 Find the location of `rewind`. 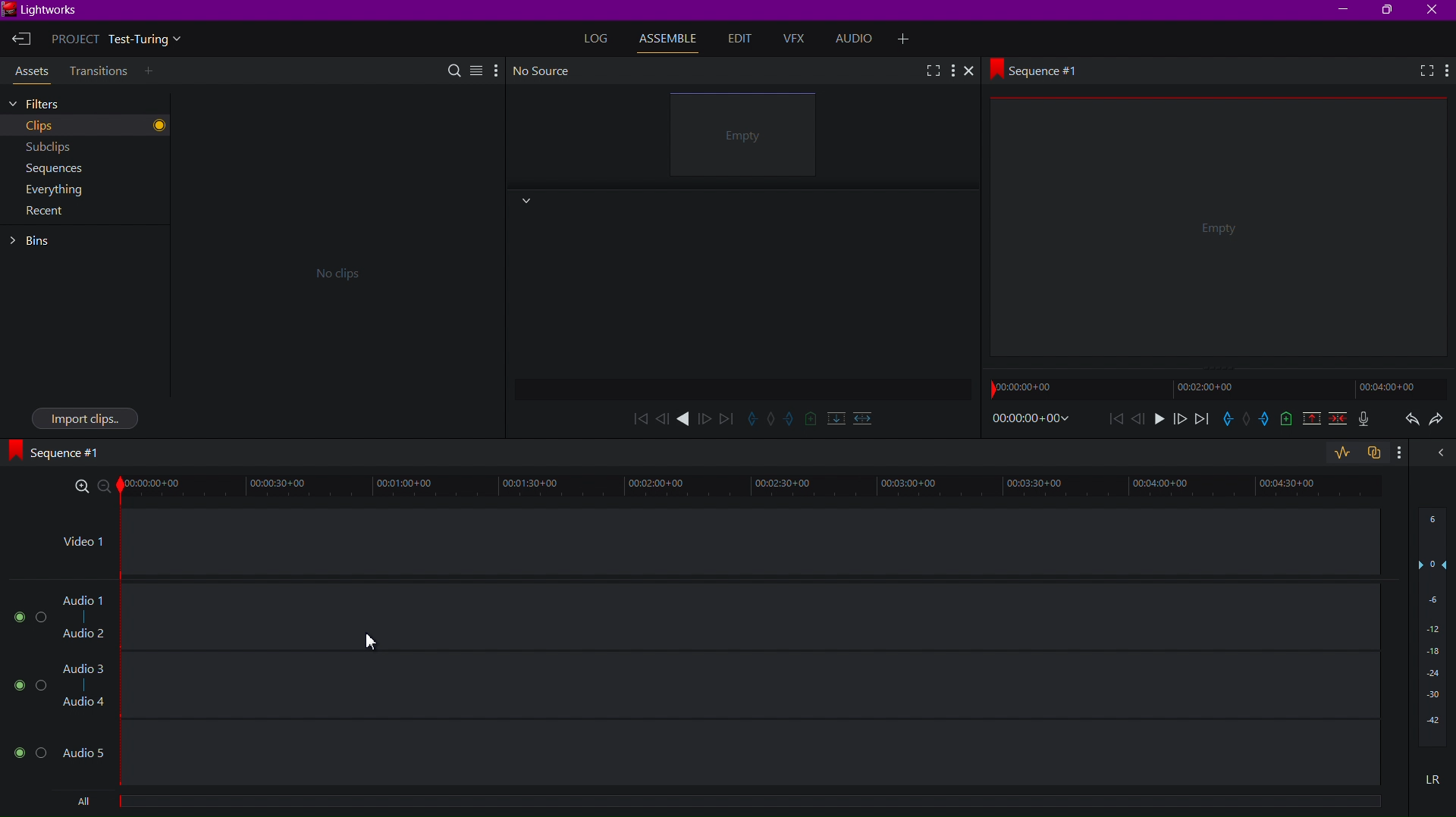

rewind is located at coordinates (662, 418).